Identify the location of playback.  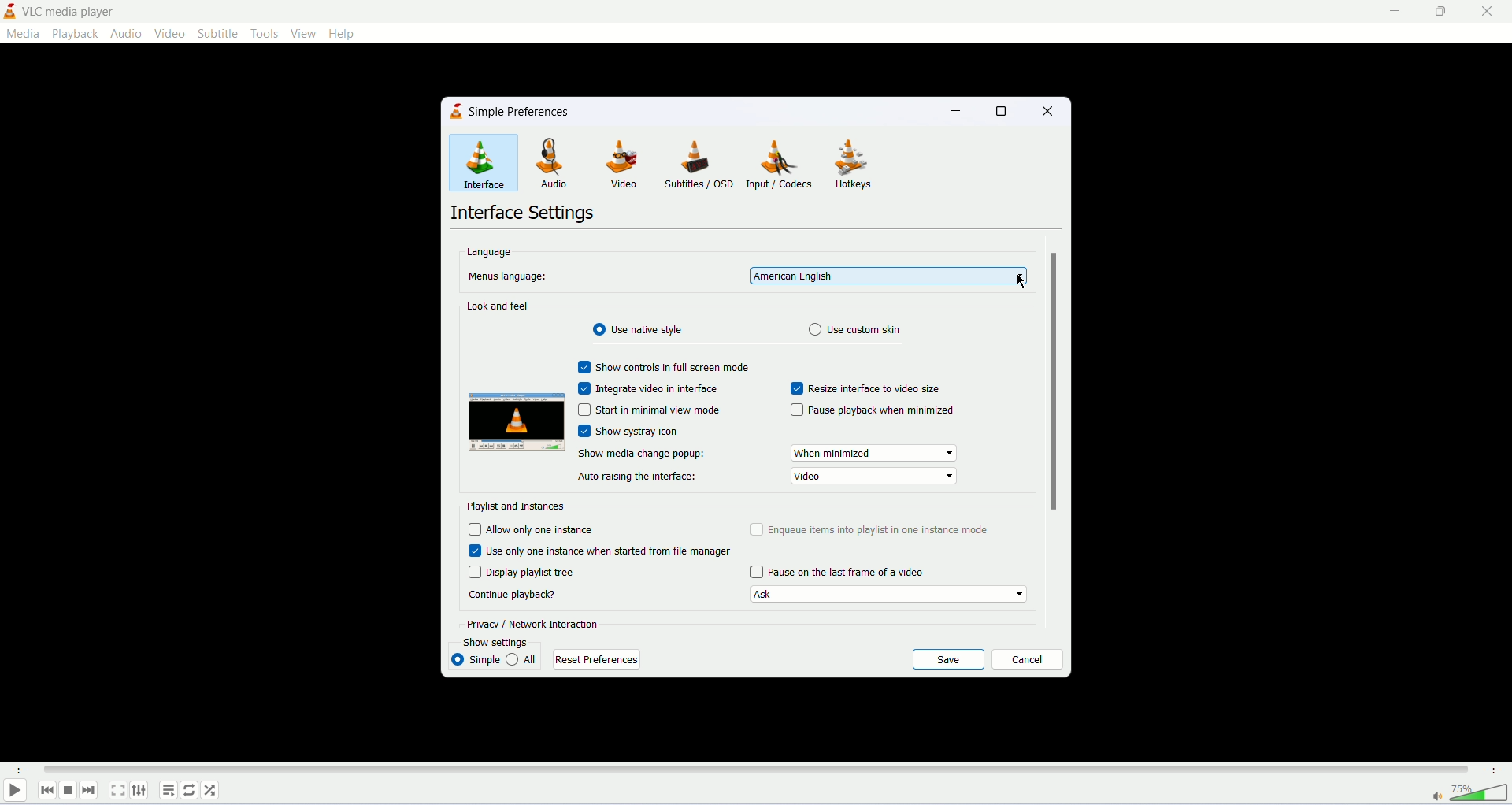
(76, 34).